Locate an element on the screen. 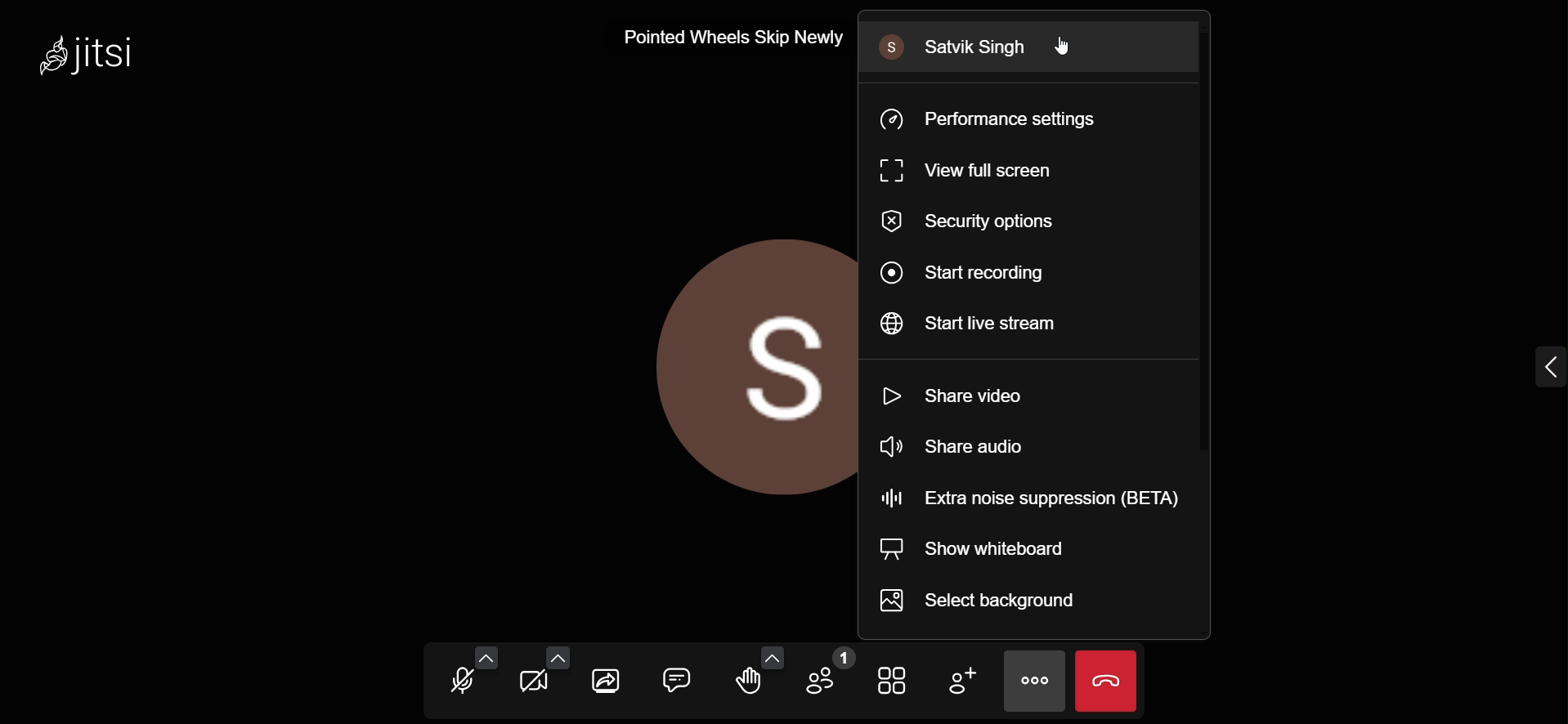 The width and height of the screenshot is (1568, 724). start recording is located at coordinates (970, 273).